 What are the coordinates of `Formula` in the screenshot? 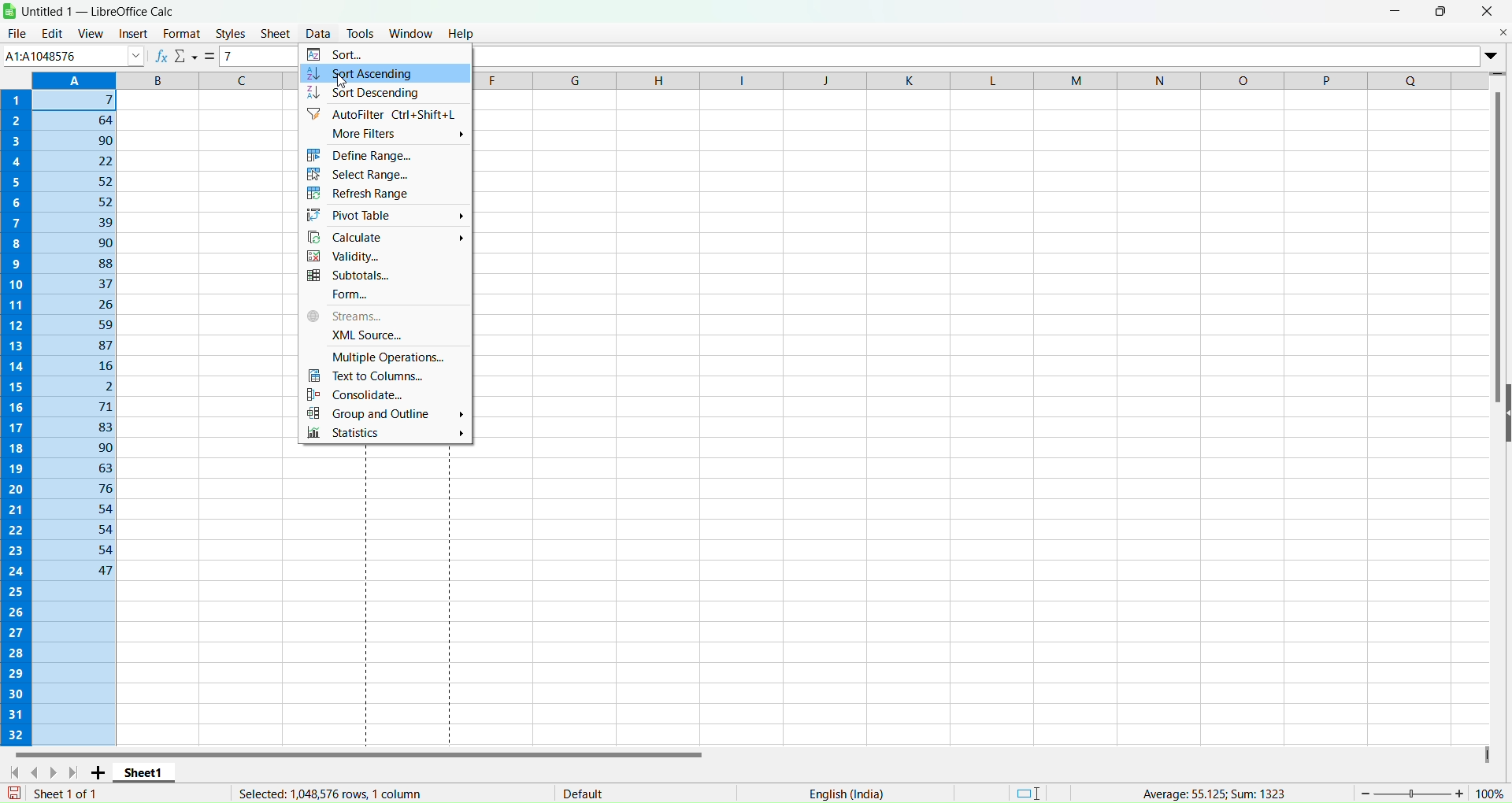 It's located at (212, 57).